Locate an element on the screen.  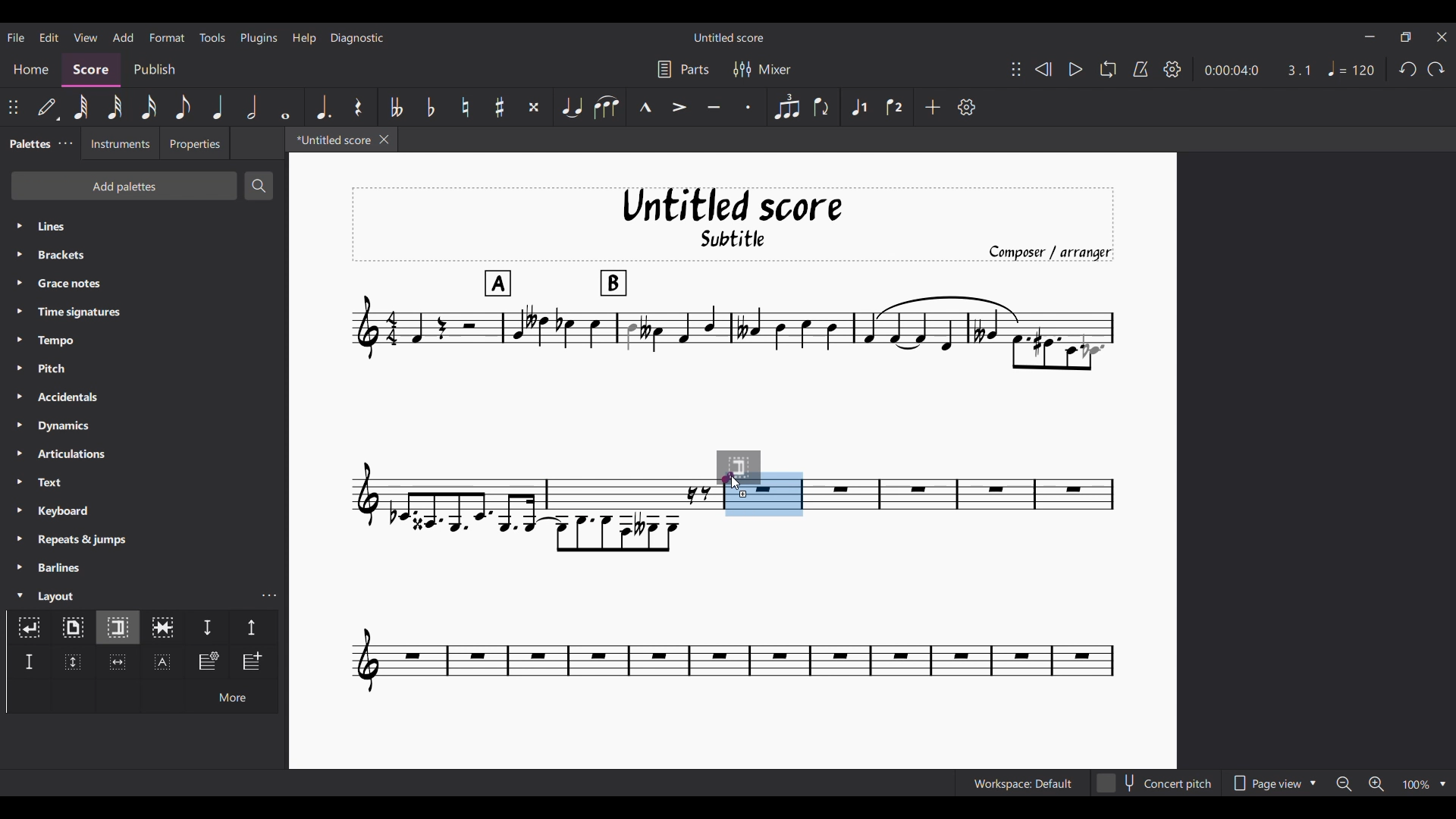
Toggle double sharp is located at coordinates (534, 107).